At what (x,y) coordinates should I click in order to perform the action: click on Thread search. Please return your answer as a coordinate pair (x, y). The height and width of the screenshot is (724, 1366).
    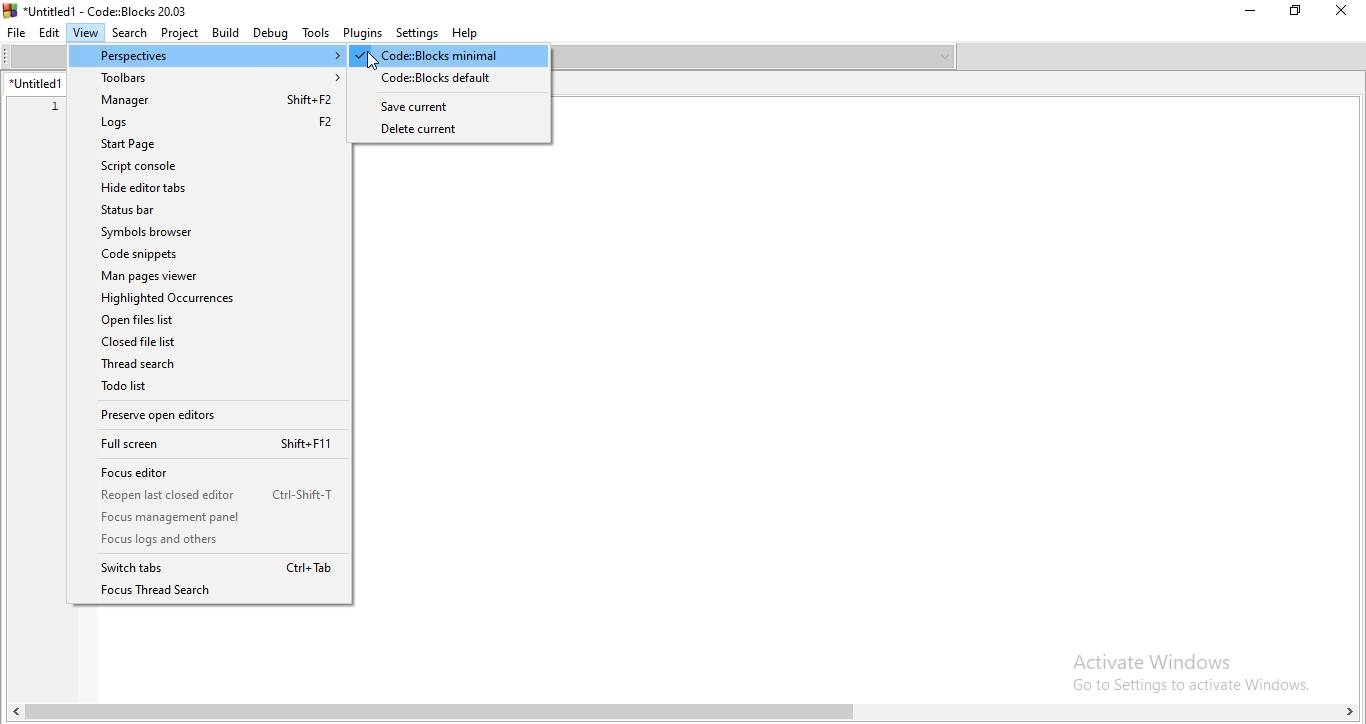
    Looking at the image, I should click on (214, 363).